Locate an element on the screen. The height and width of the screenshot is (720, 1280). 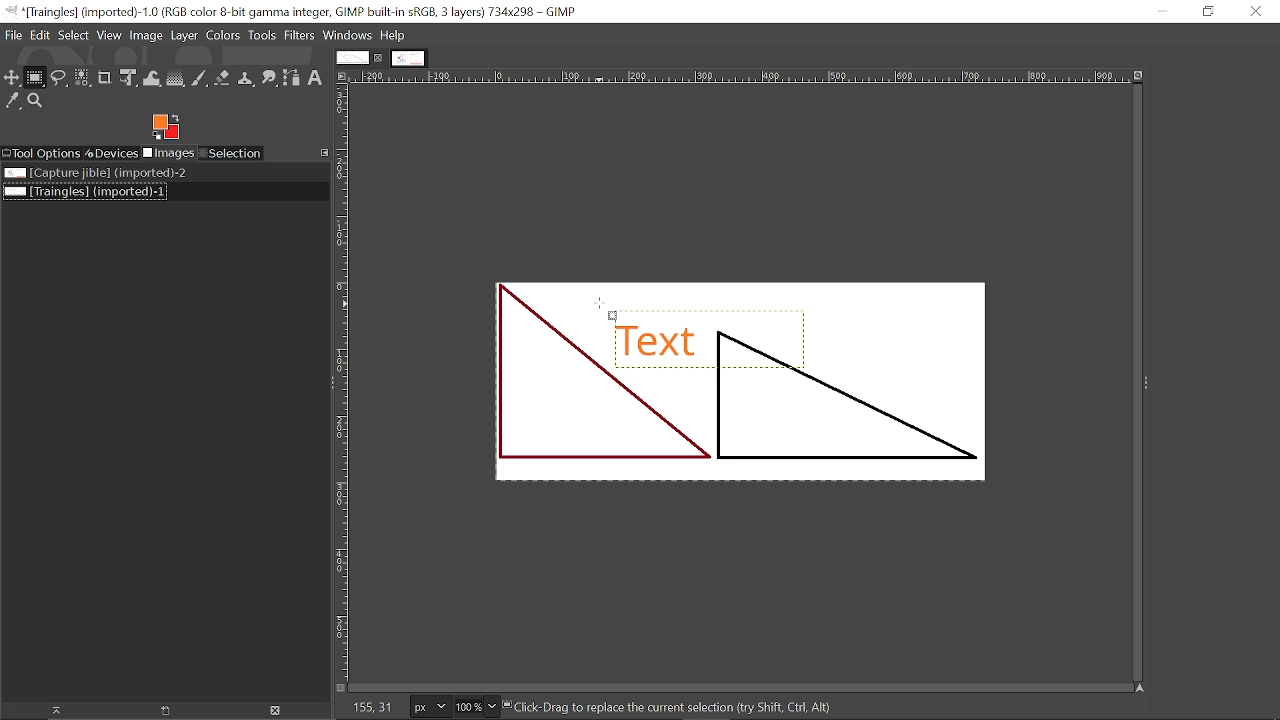
Open new display for this image is located at coordinates (165, 711).